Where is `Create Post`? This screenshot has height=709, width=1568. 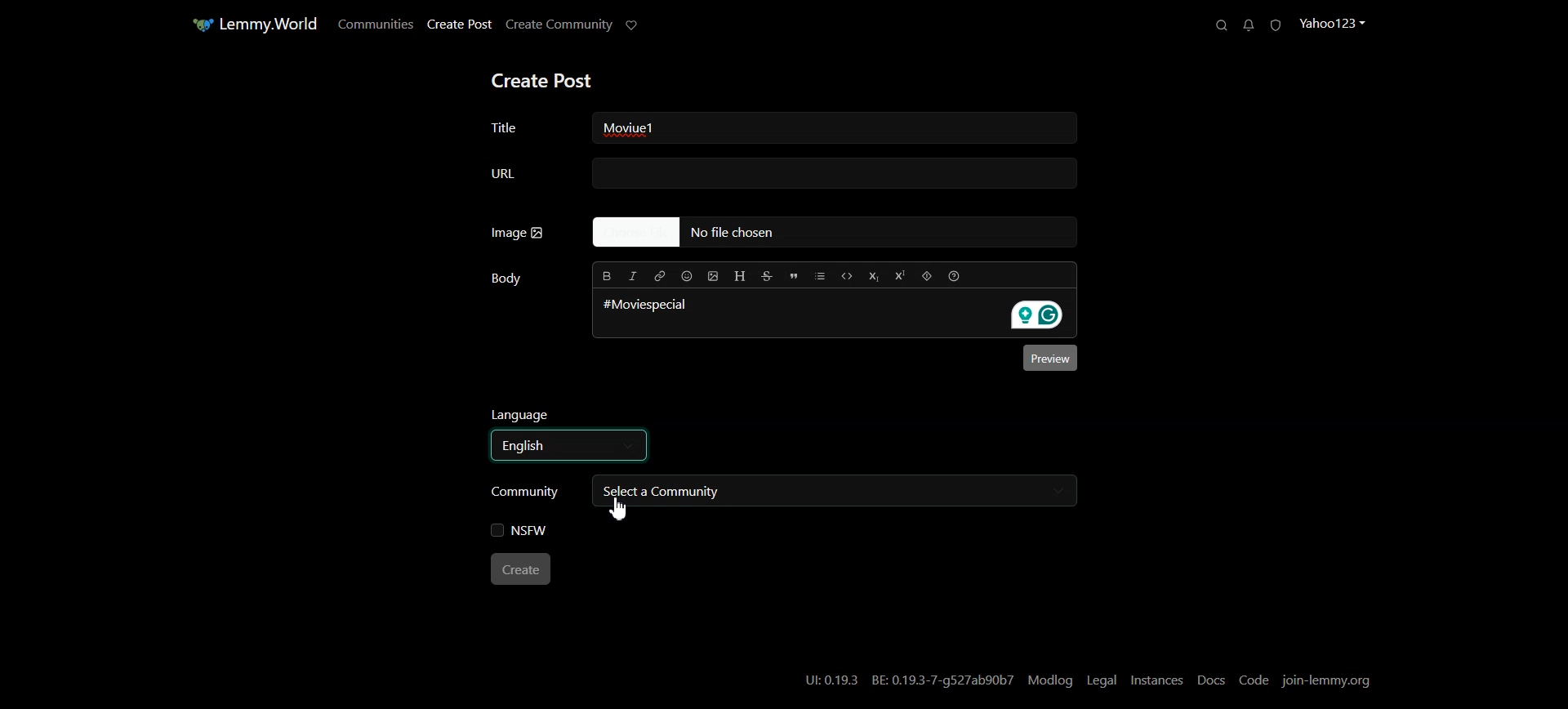
Create Post is located at coordinates (458, 25).